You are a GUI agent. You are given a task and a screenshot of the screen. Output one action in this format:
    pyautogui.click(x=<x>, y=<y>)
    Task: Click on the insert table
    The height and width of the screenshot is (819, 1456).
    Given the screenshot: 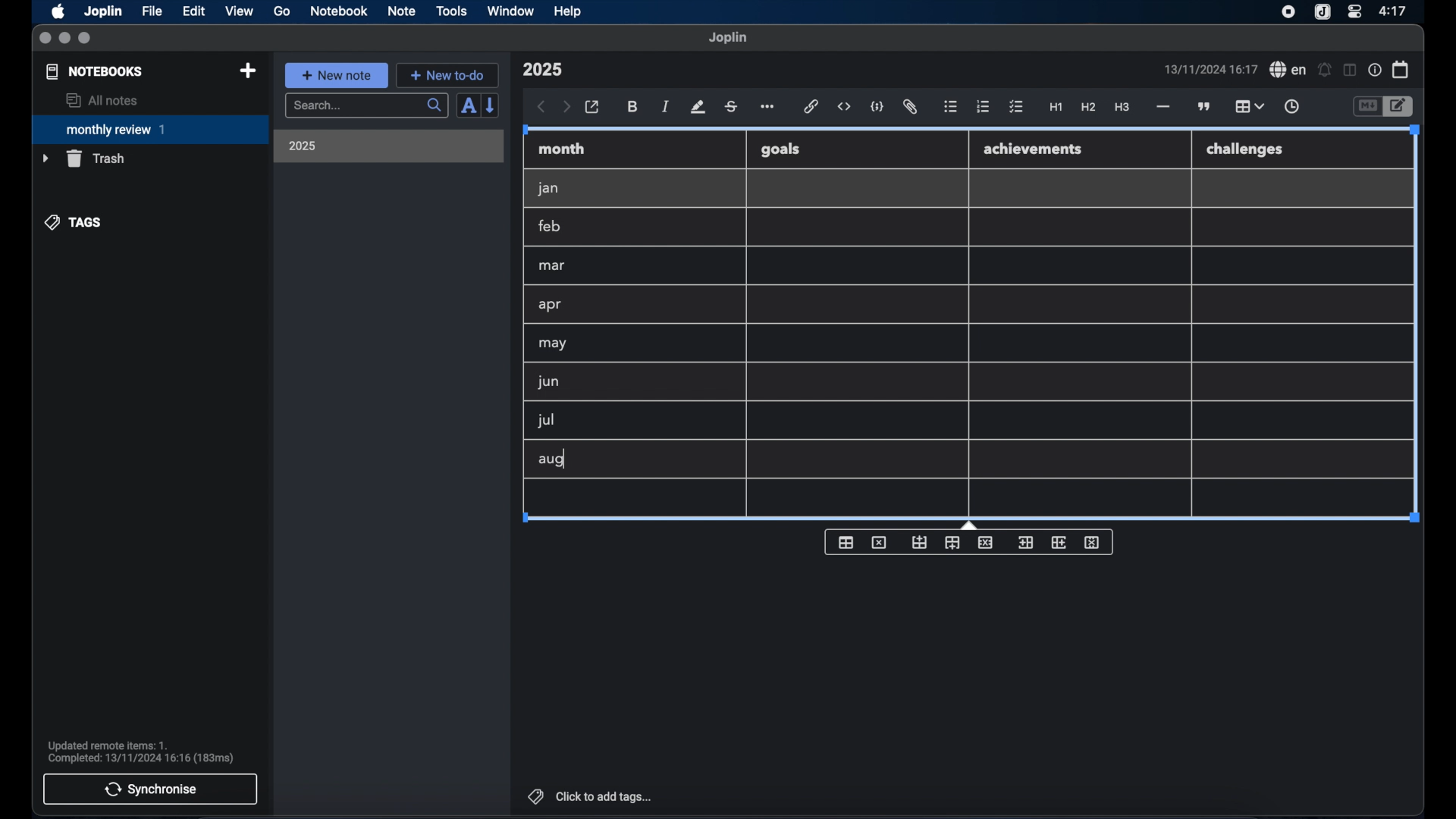 What is the action you would take?
    pyautogui.click(x=846, y=542)
    